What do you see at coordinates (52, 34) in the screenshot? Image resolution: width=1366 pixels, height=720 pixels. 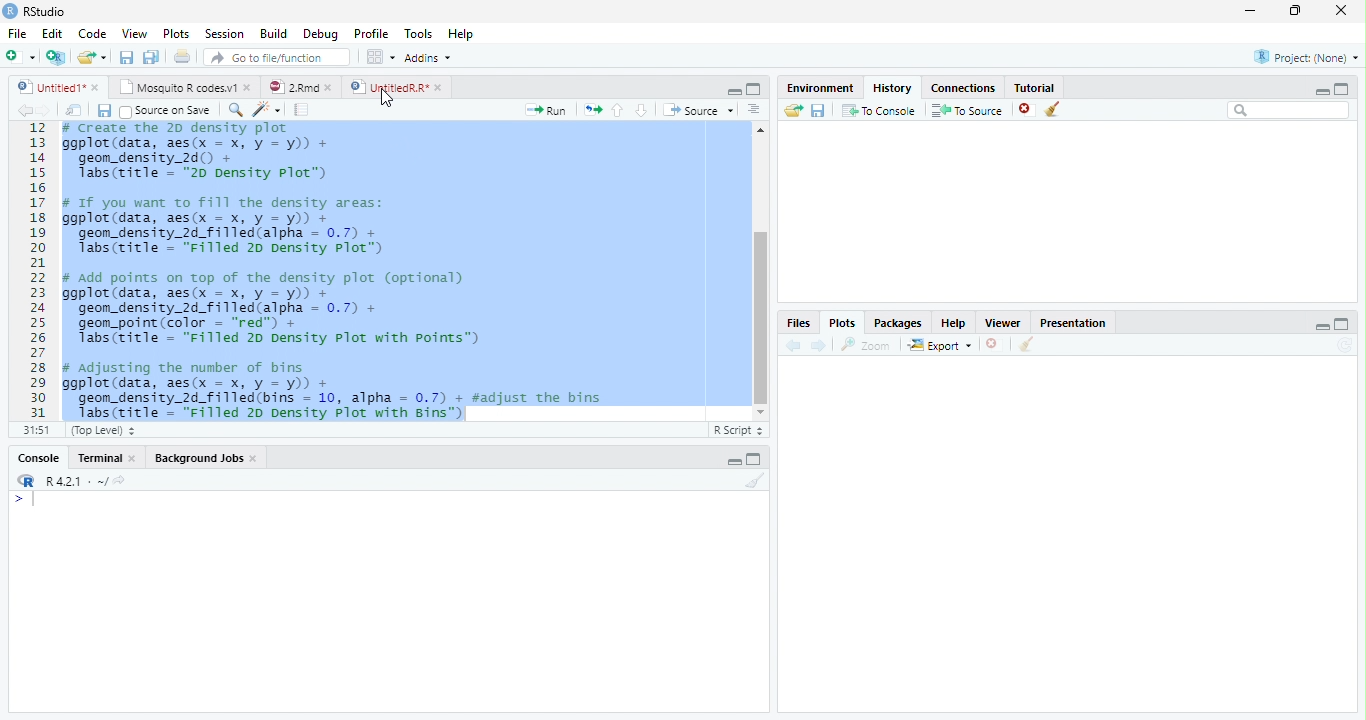 I see `Edit` at bounding box center [52, 34].